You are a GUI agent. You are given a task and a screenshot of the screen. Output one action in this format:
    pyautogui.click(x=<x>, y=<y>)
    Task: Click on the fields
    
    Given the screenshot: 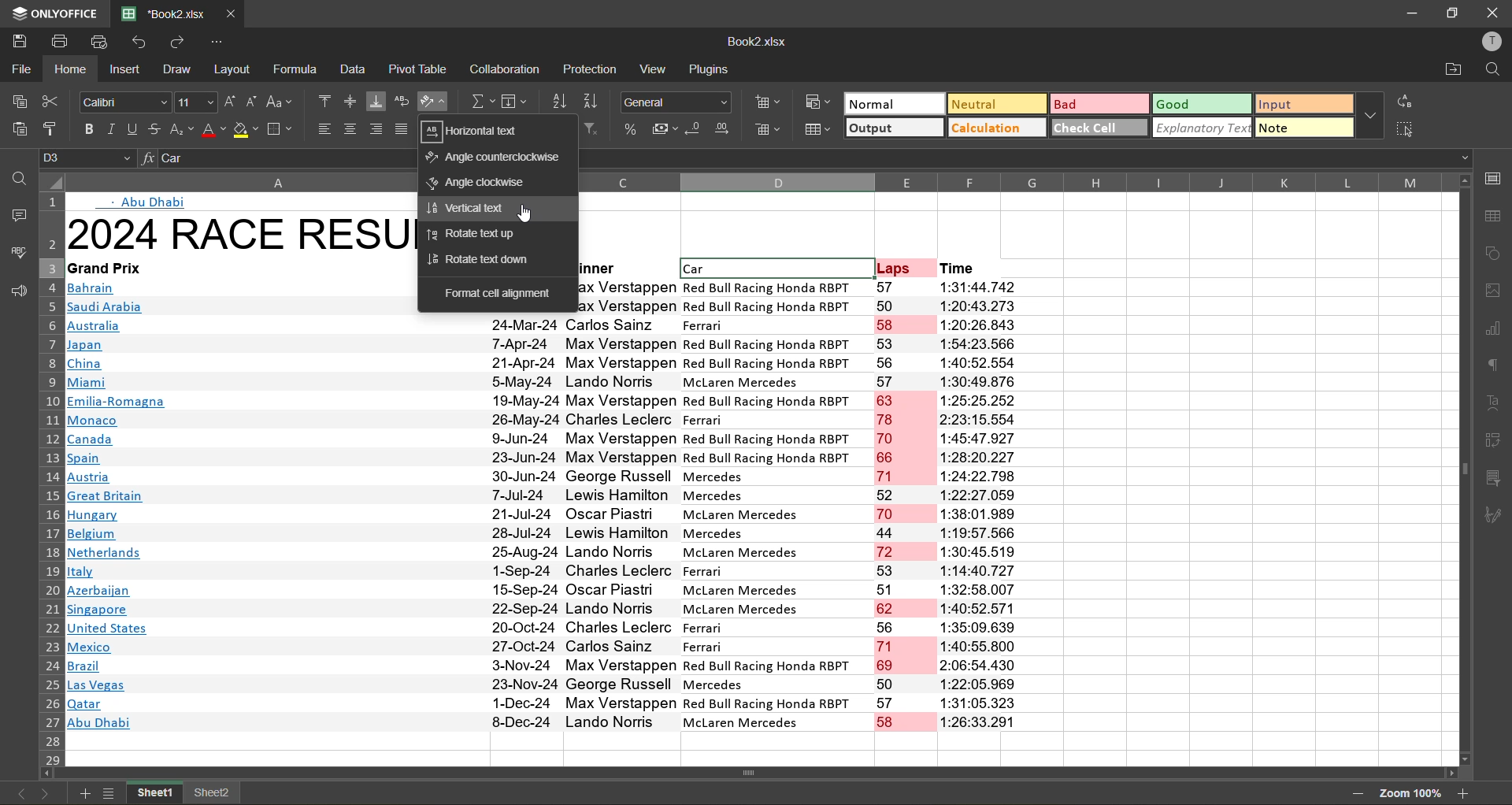 What is the action you would take?
    pyautogui.click(x=519, y=106)
    